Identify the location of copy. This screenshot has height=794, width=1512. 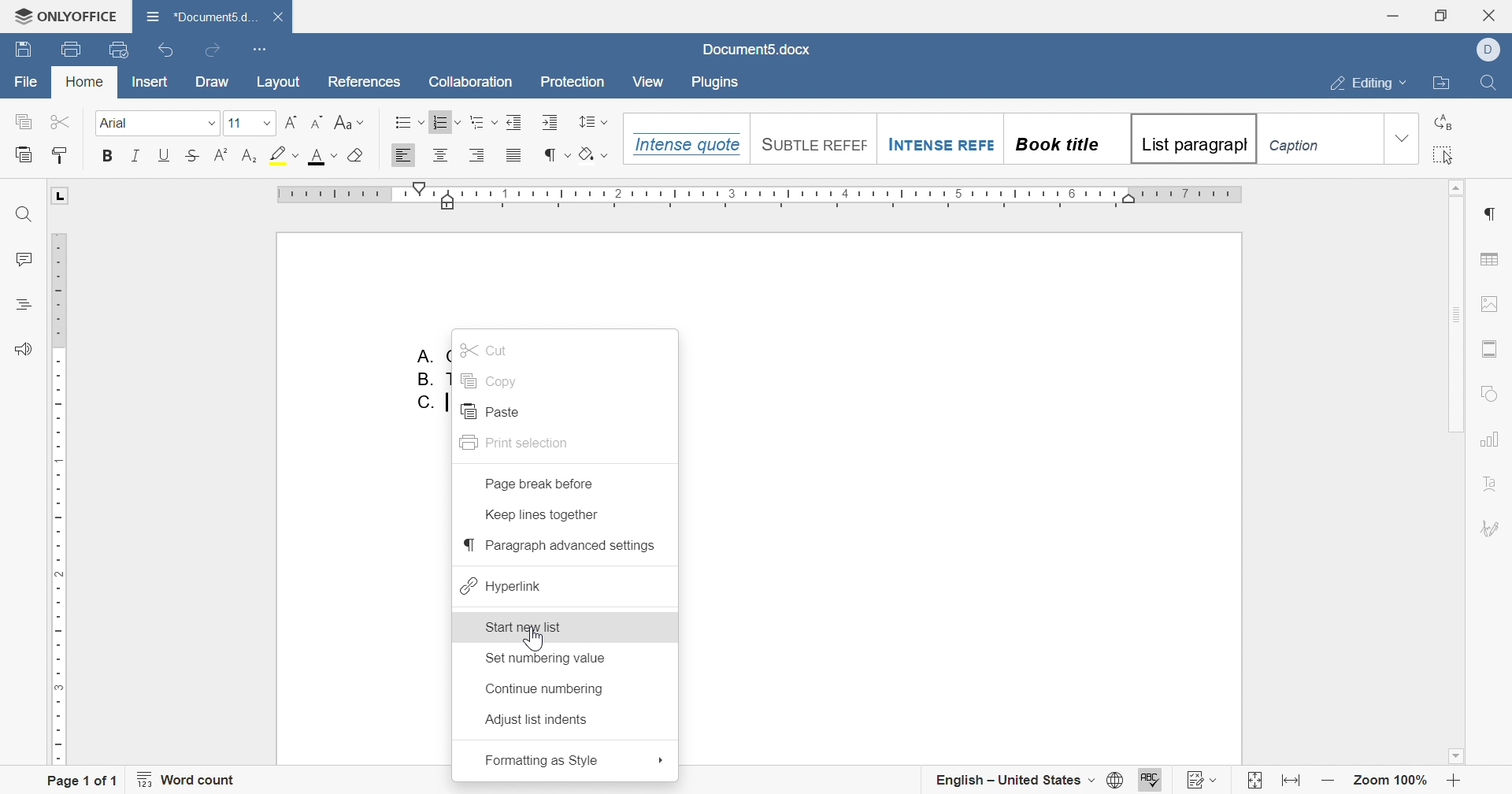
(489, 380).